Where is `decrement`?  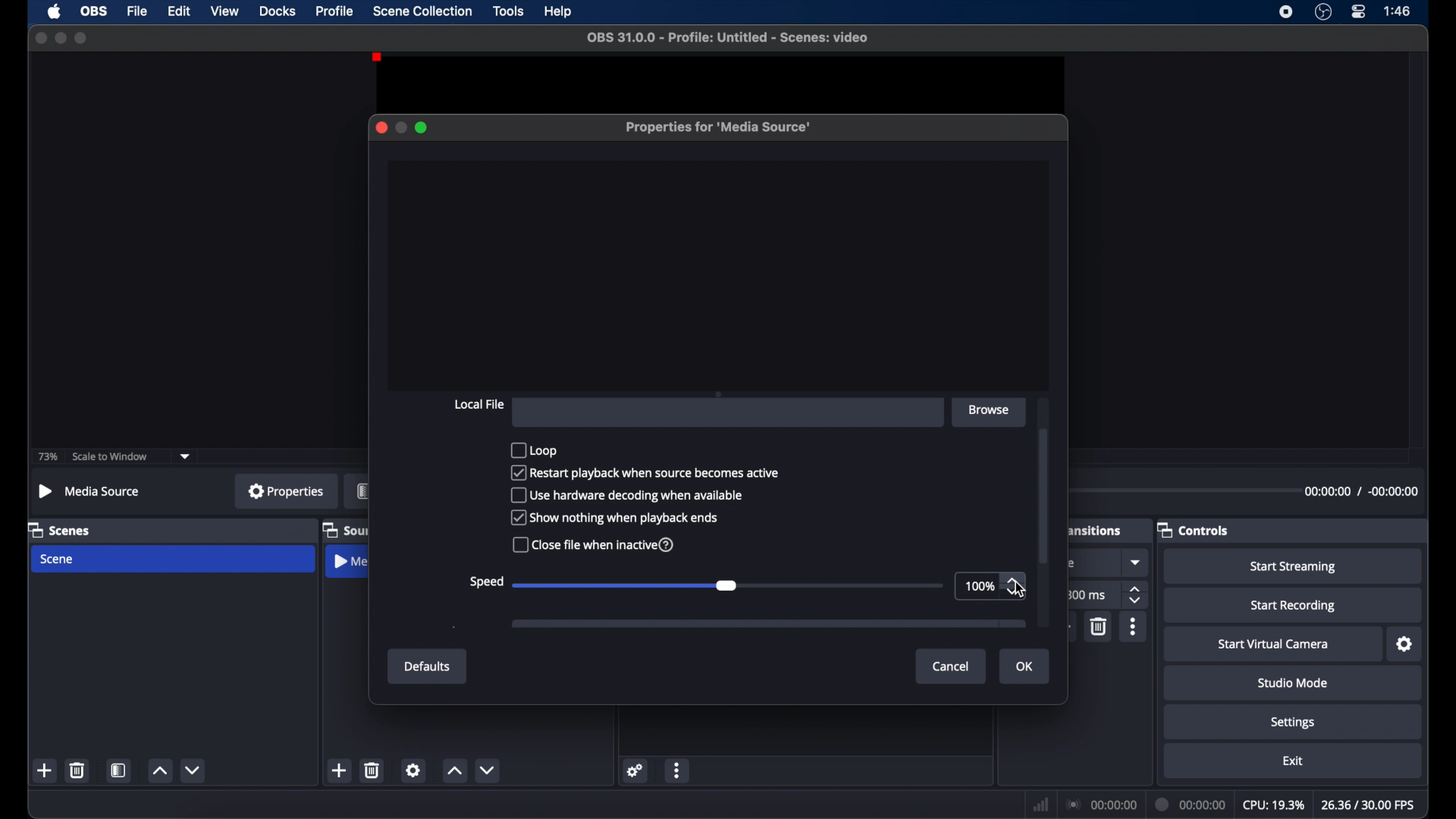 decrement is located at coordinates (488, 770).